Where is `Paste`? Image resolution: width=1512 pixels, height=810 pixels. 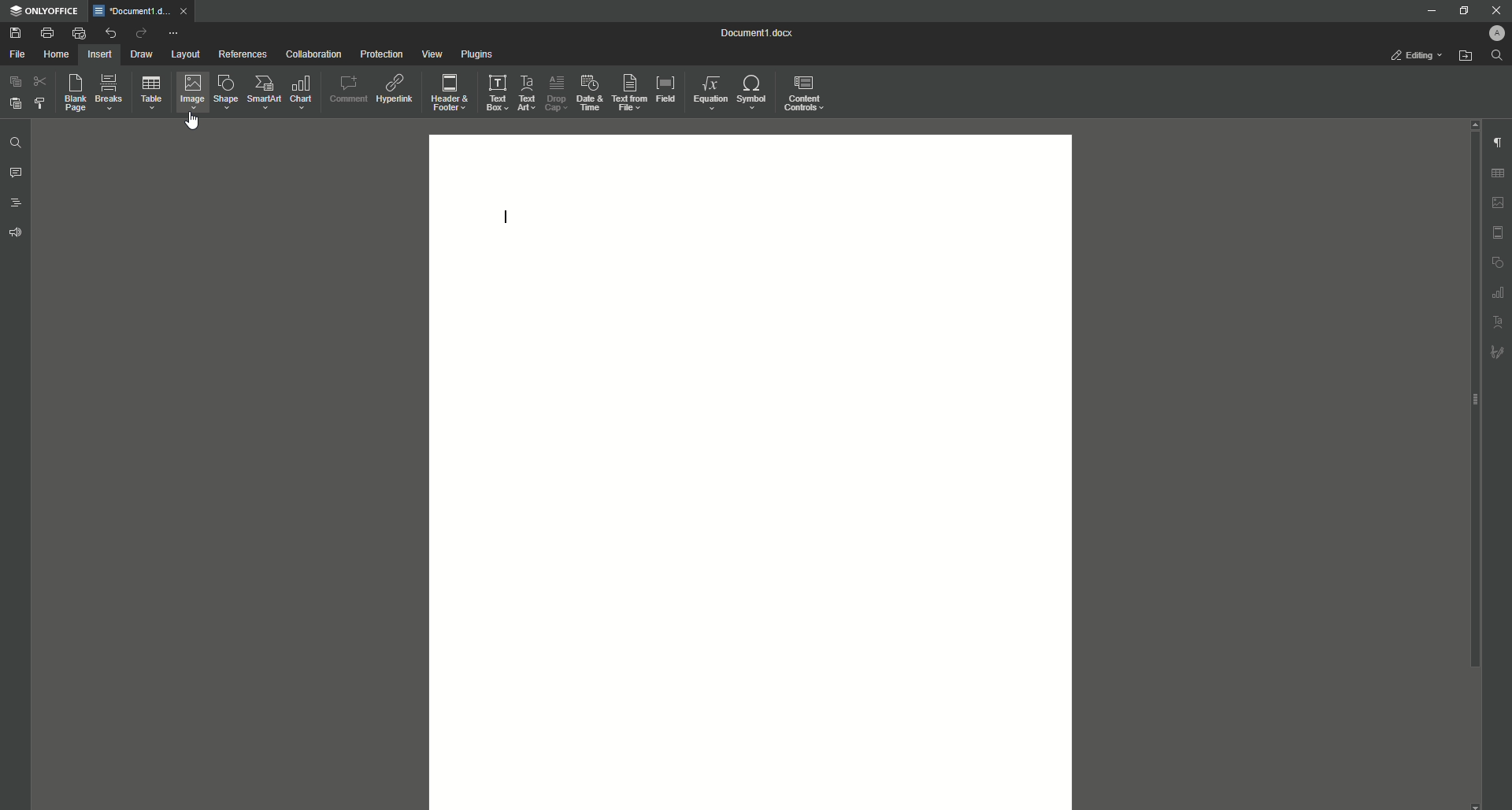 Paste is located at coordinates (15, 104).